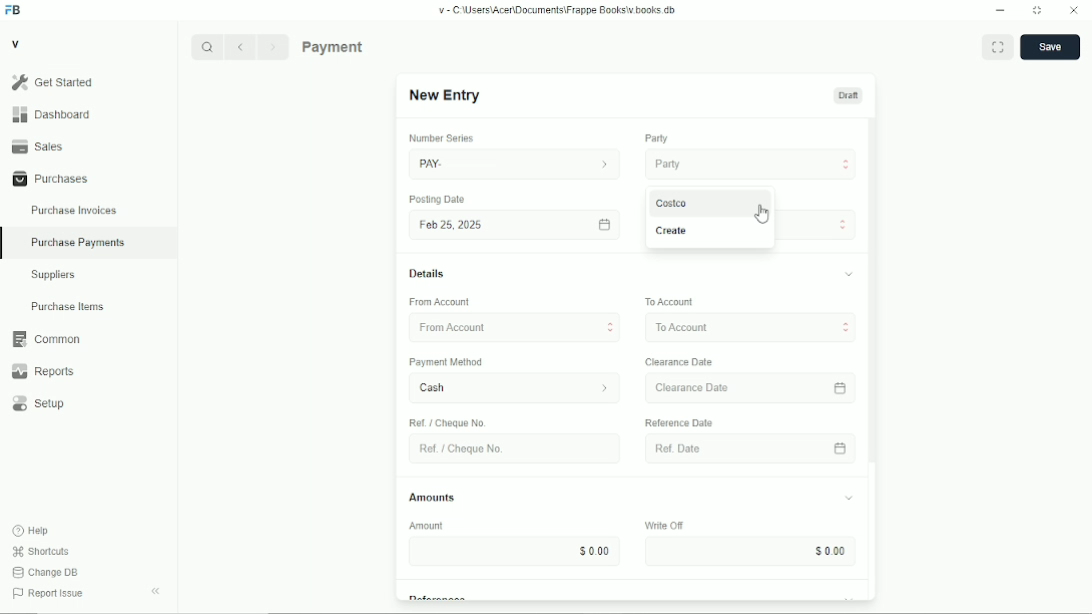 The width and height of the screenshot is (1092, 614). I want to click on Common, so click(89, 339).